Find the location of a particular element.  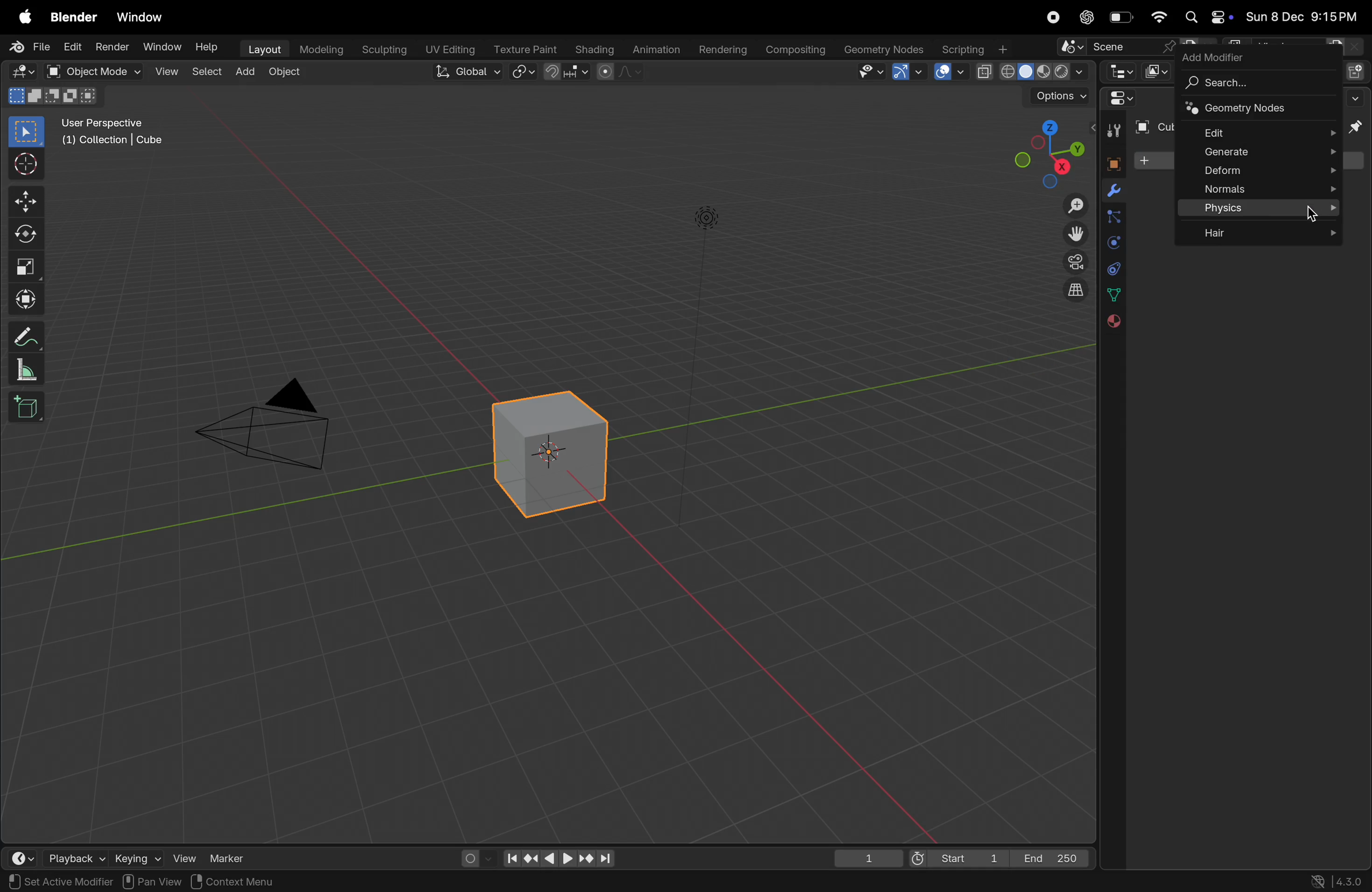

select cursor is located at coordinates (26, 167).